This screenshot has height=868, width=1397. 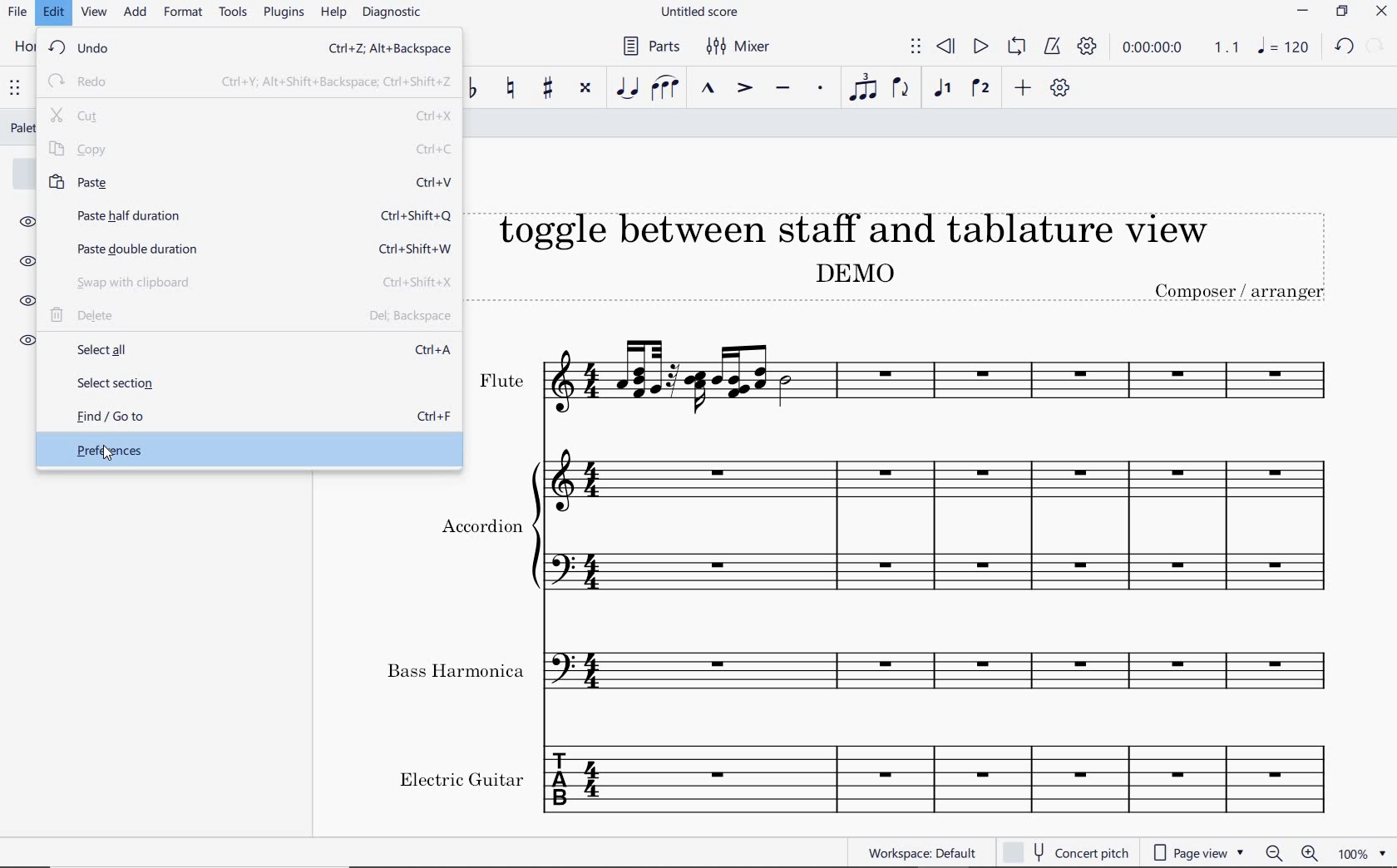 What do you see at coordinates (1019, 47) in the screenshot?
I see `loop playback` at bounding box center [1019, 47].